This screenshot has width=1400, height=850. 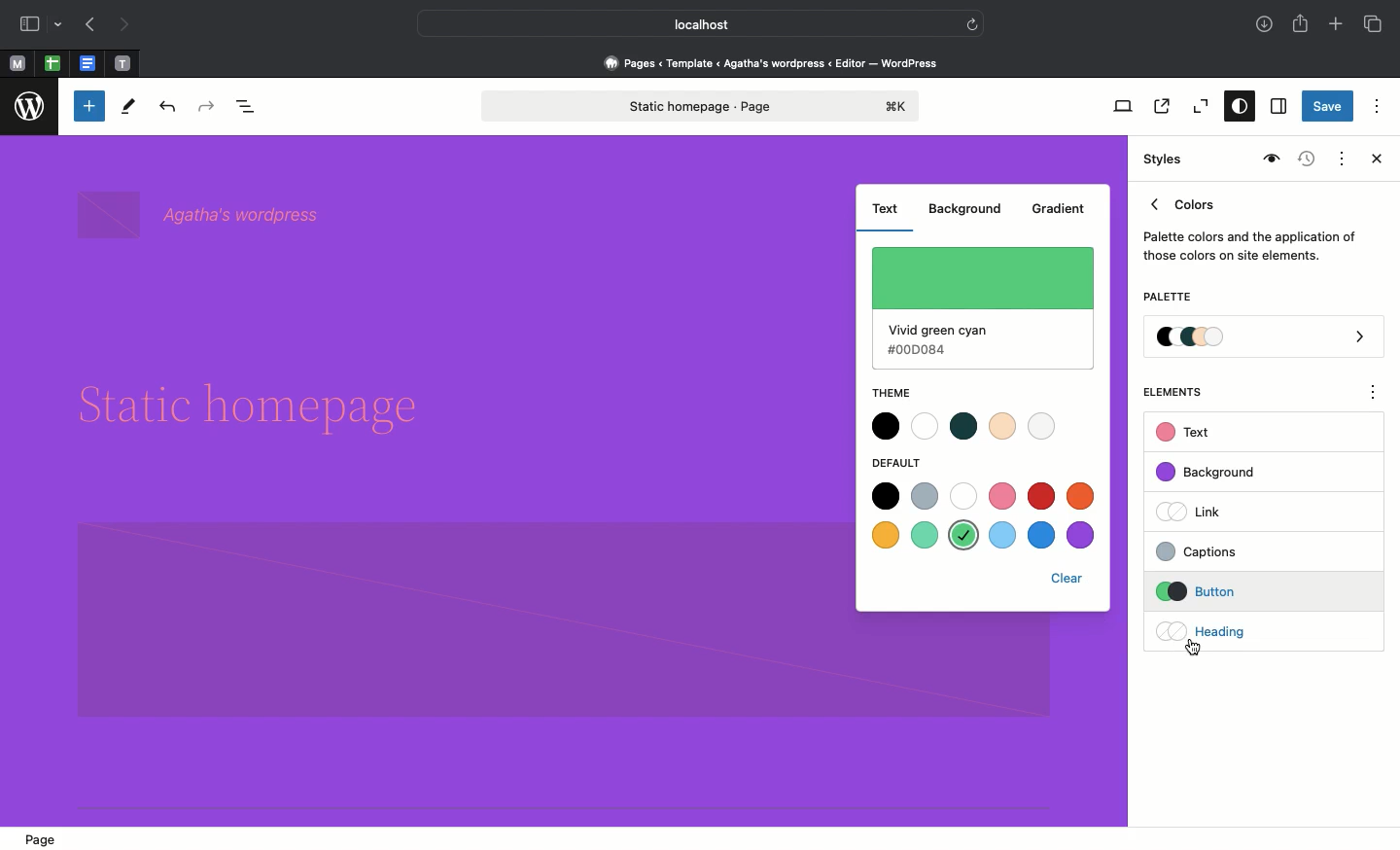 I want to click on Options, so click(x=1377, y=105).